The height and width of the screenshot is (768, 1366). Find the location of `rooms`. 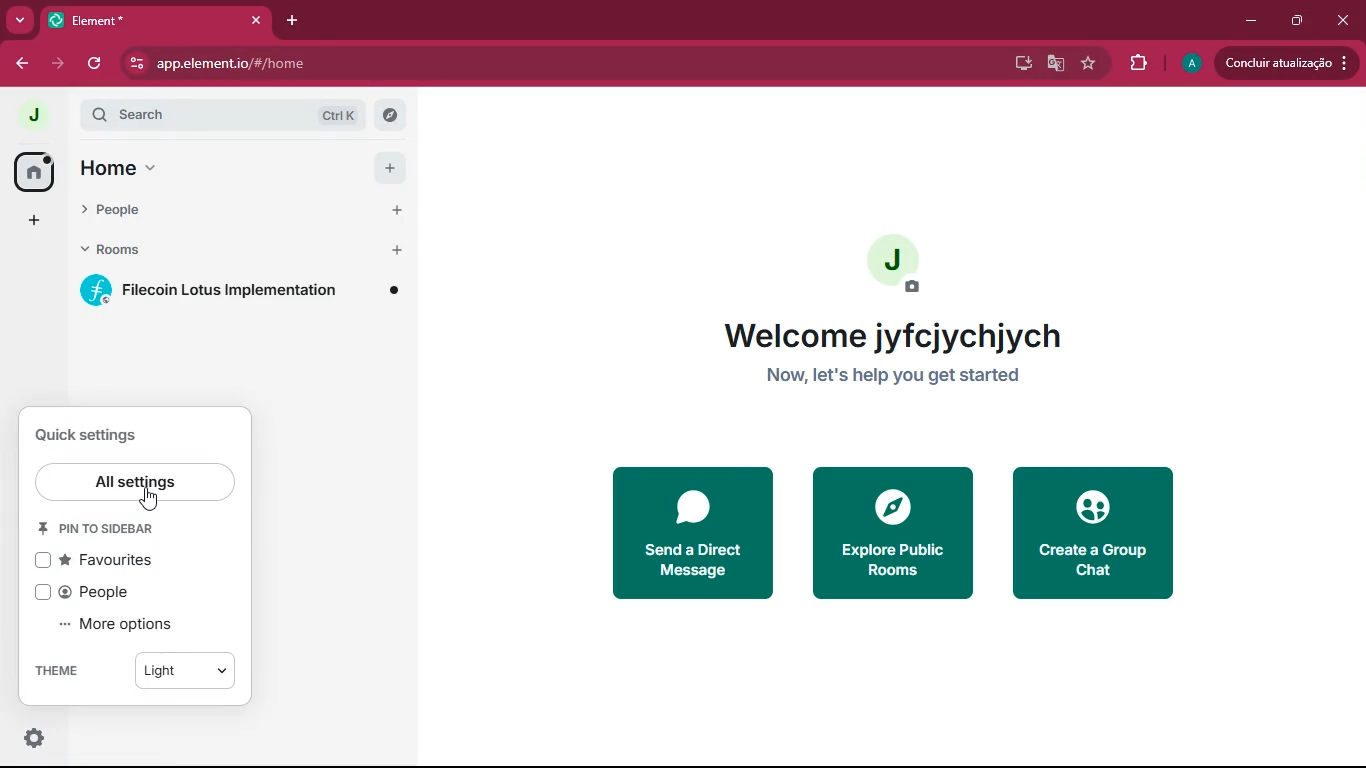

rooms is located at coordinates (135, 249).